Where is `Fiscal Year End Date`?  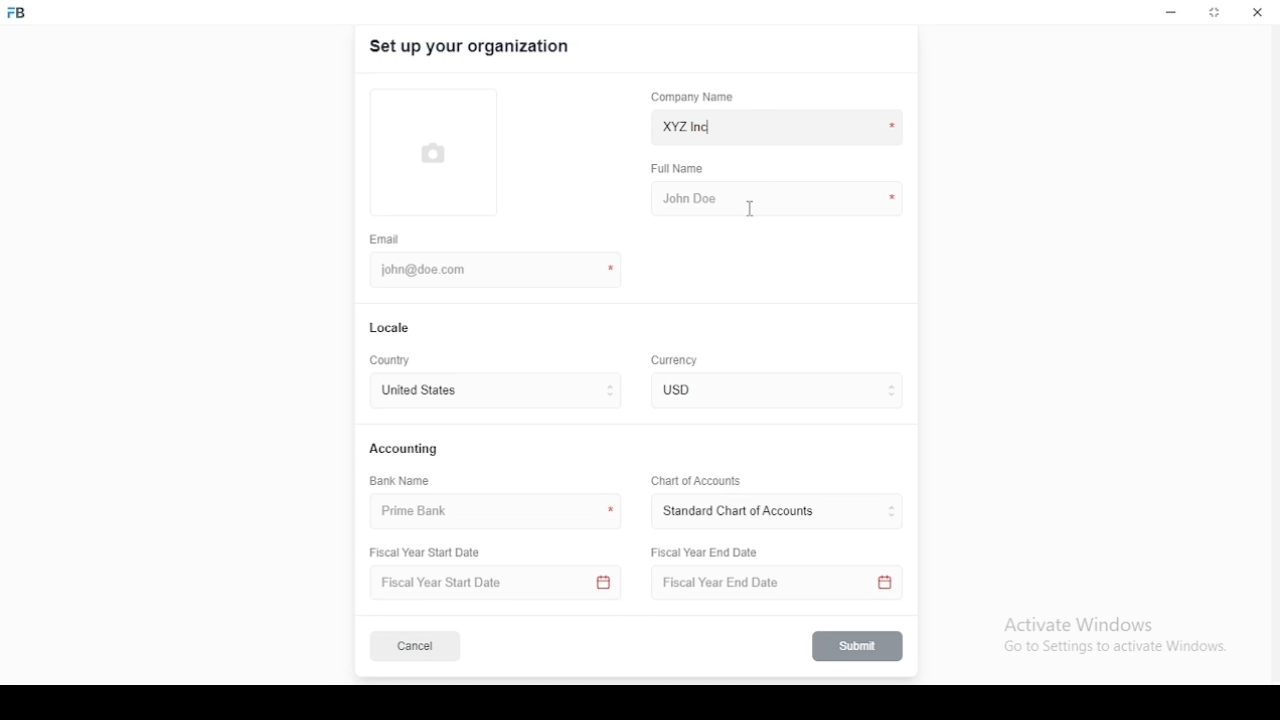
Fiscal Year End Date is located at coordinates (771, 583).